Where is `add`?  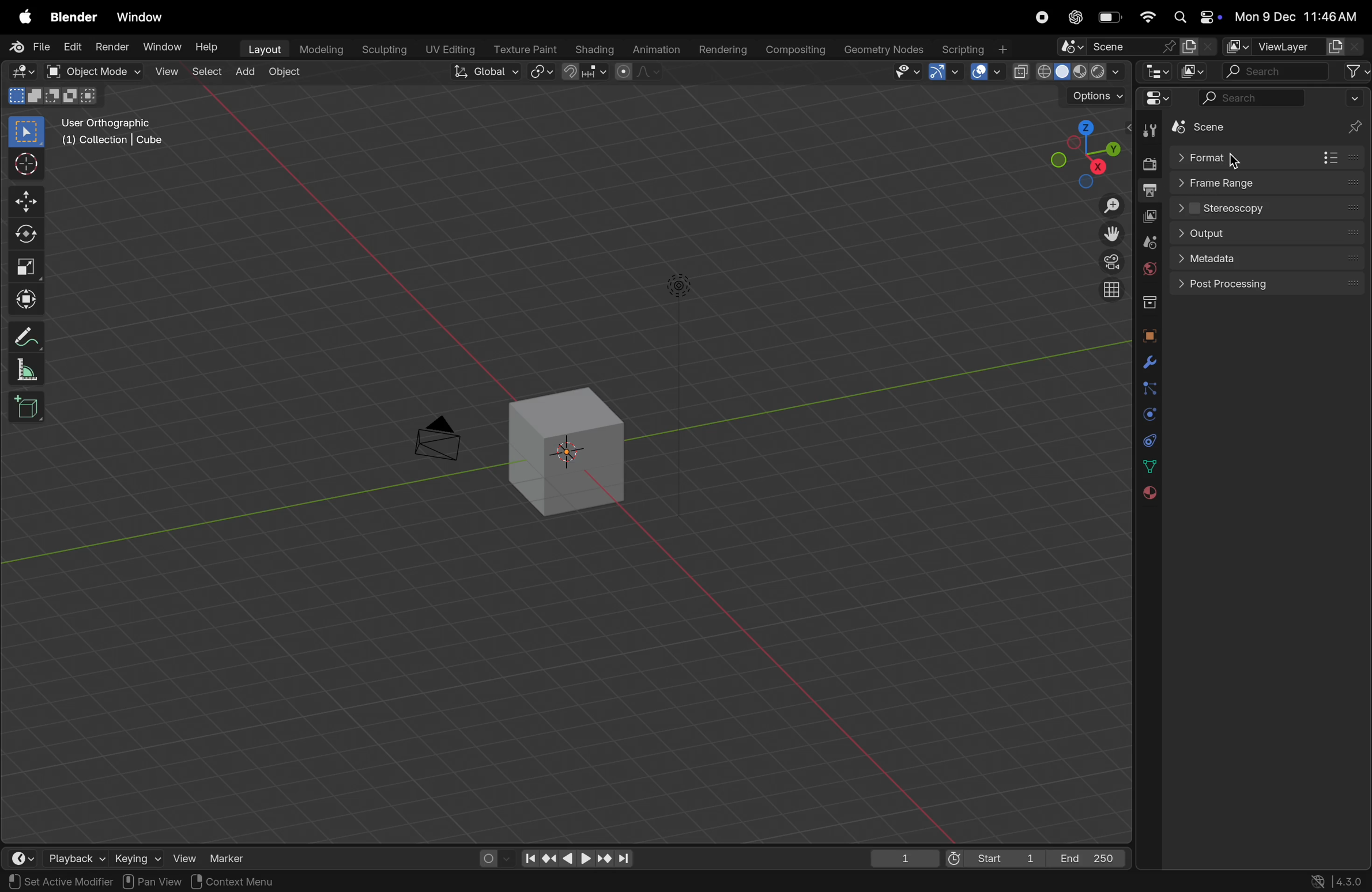 add is located at coordinates (244, 73).